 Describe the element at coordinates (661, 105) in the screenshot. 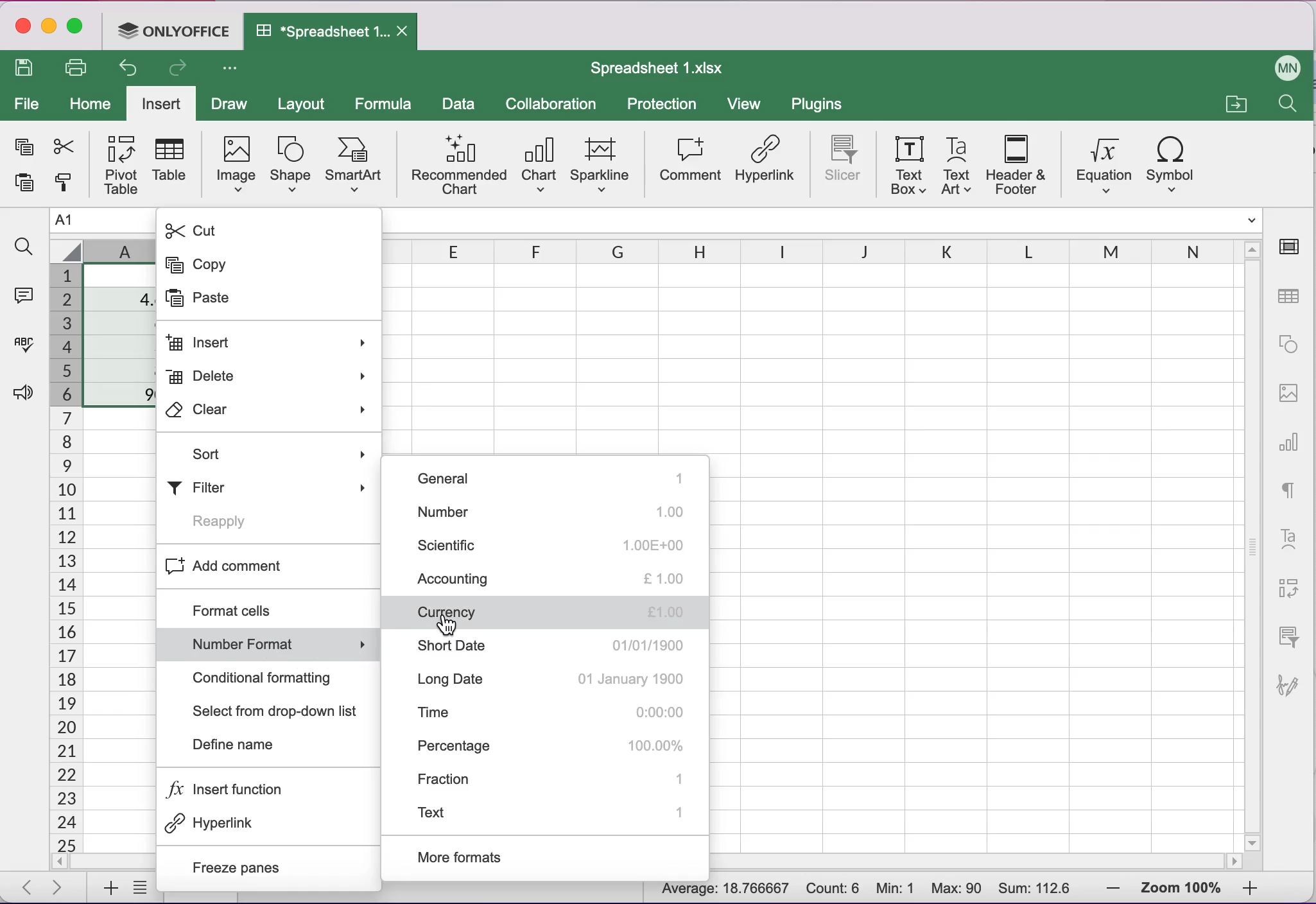

I see `protection` at that location.